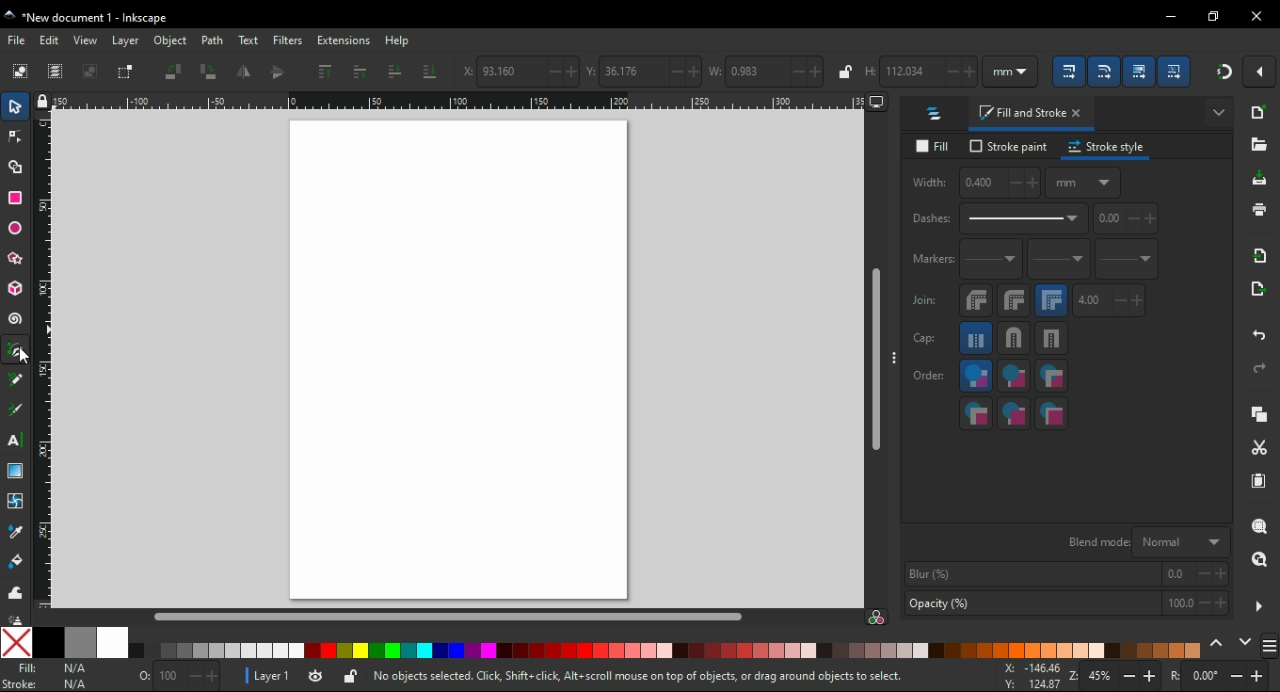 The height and width of the screenshot is (692, 1280). What do you see at coordinates (359, 71) in the screenshot?
I see `raise` at bounding box center [359, 71].